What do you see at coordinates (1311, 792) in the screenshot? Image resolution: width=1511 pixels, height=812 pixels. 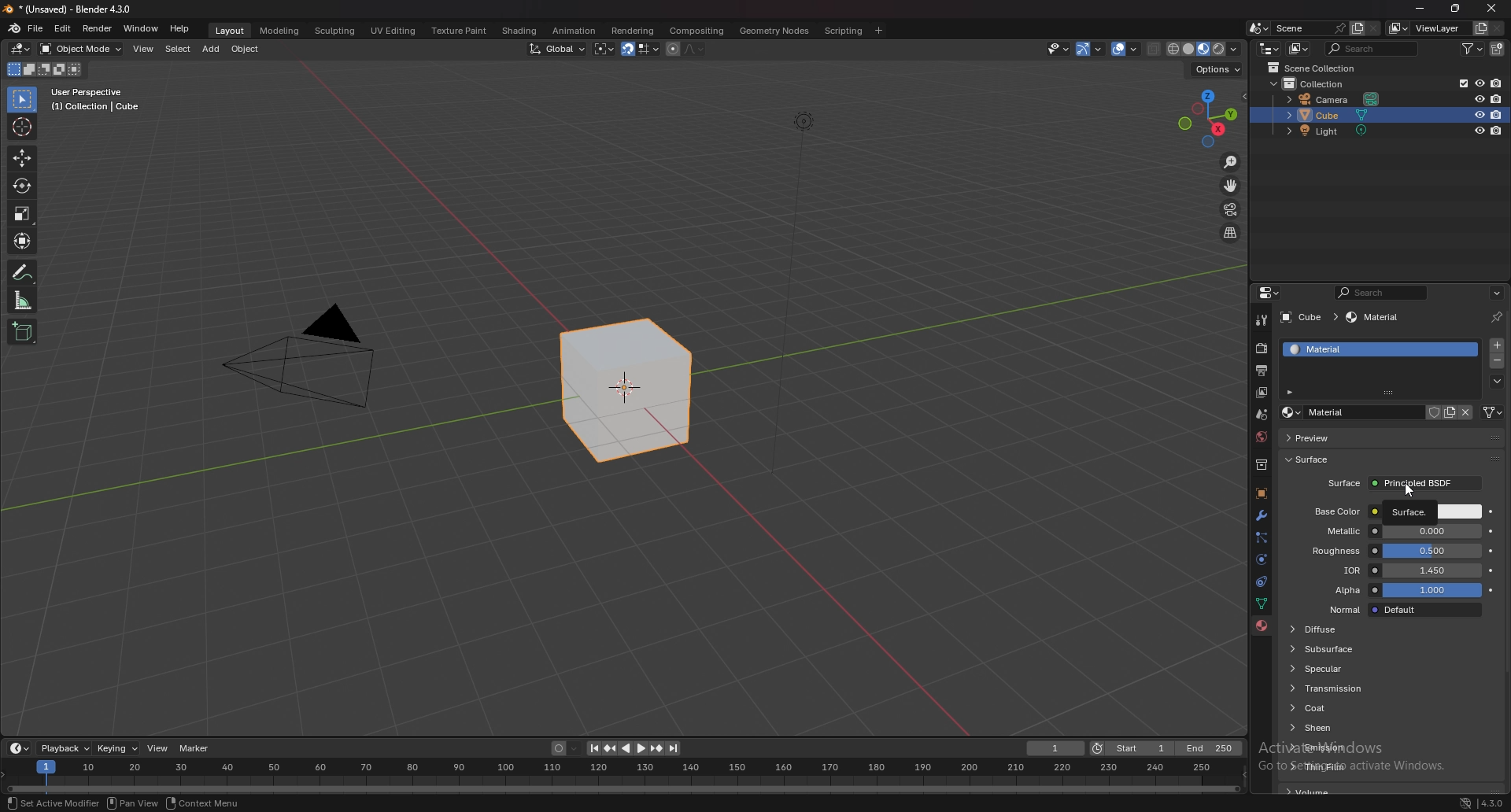 I see `volume` at bounding box center [1311, 792].